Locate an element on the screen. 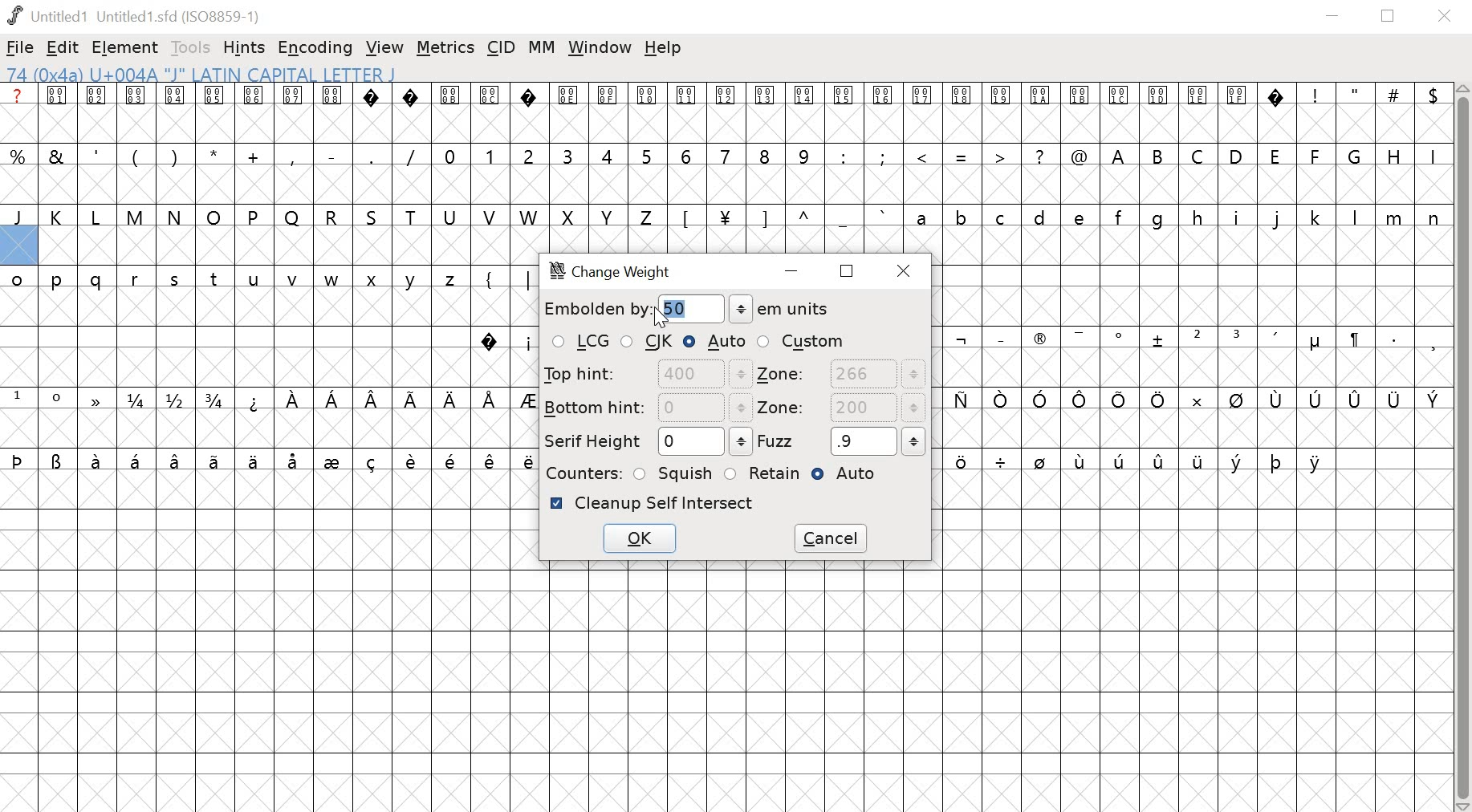  uppercase letters is located at coordinates (1275, 155).